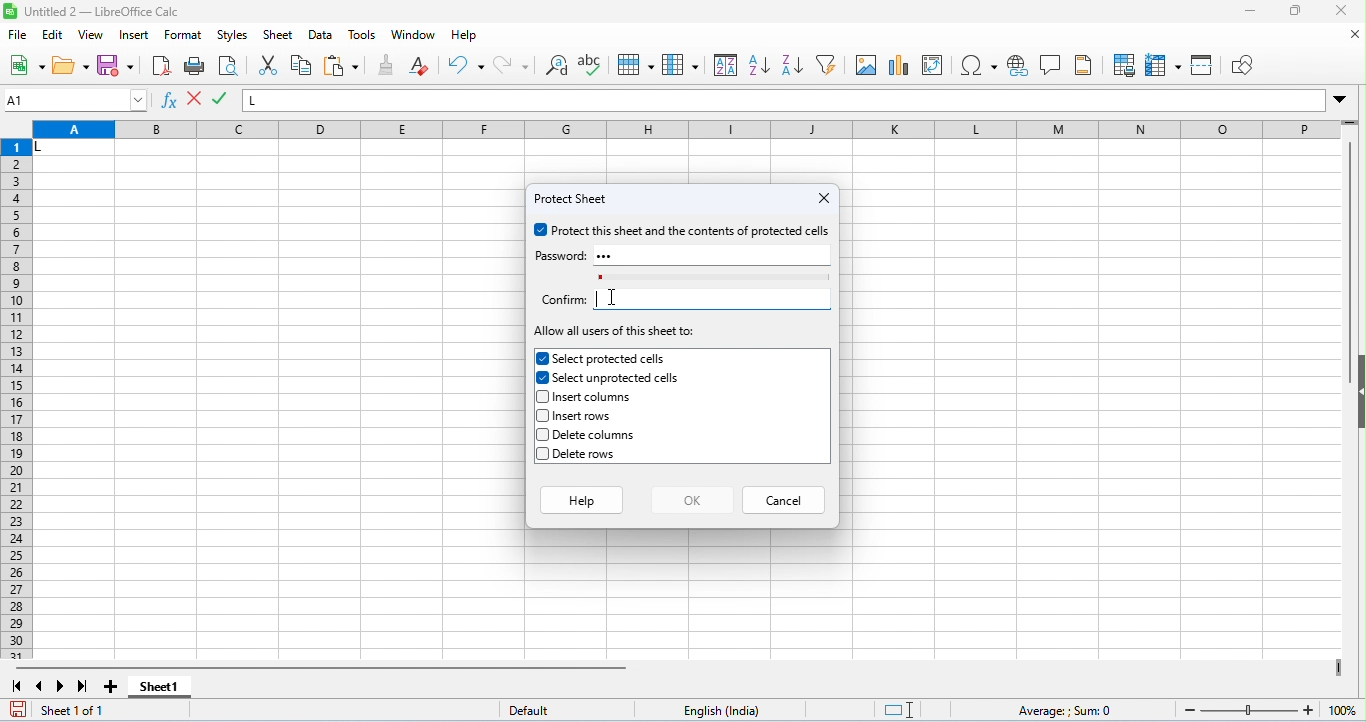 Image resolution: width=1366 pixels, height=722 pixels. Describe the element at coordinates (278, 35) in the screenshot. I see `sheet` at that location.